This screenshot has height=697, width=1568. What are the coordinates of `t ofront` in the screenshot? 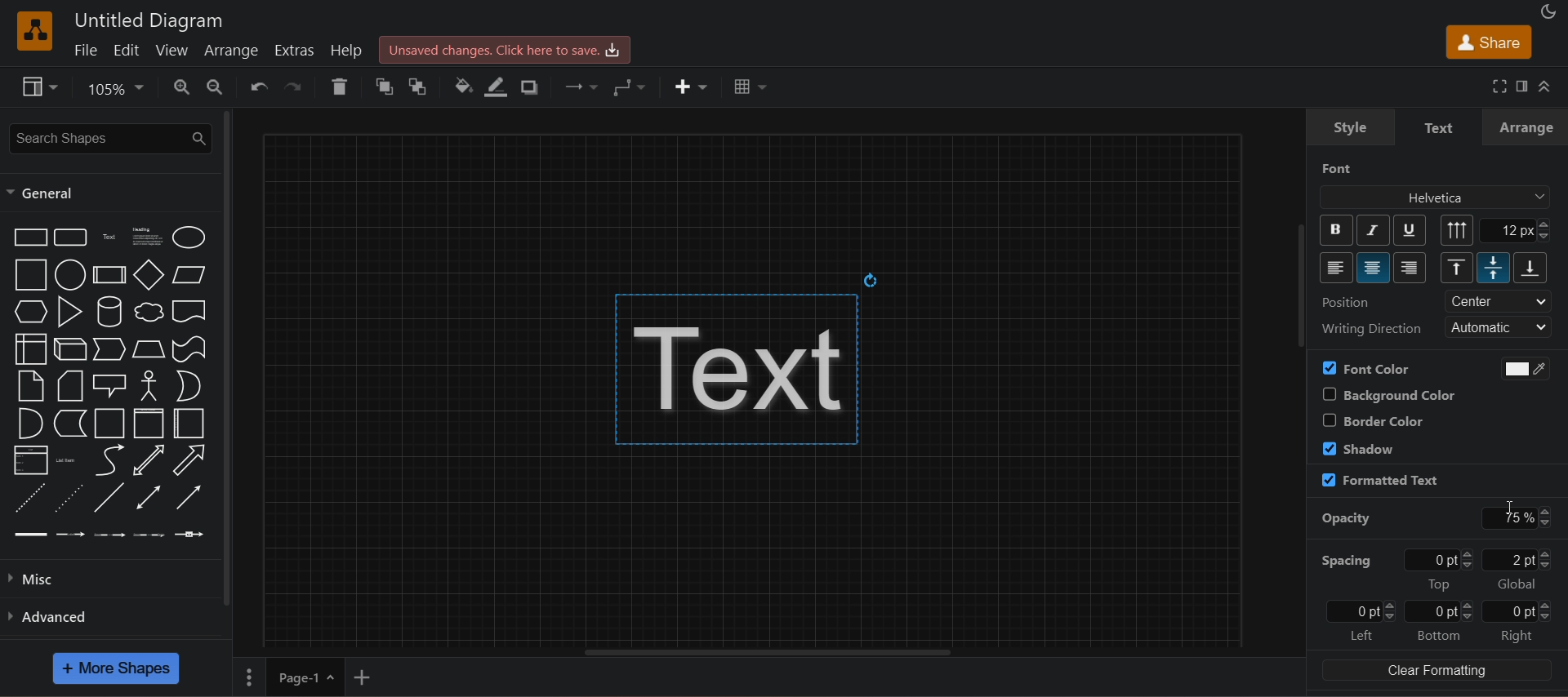 It's located at (422, 85).